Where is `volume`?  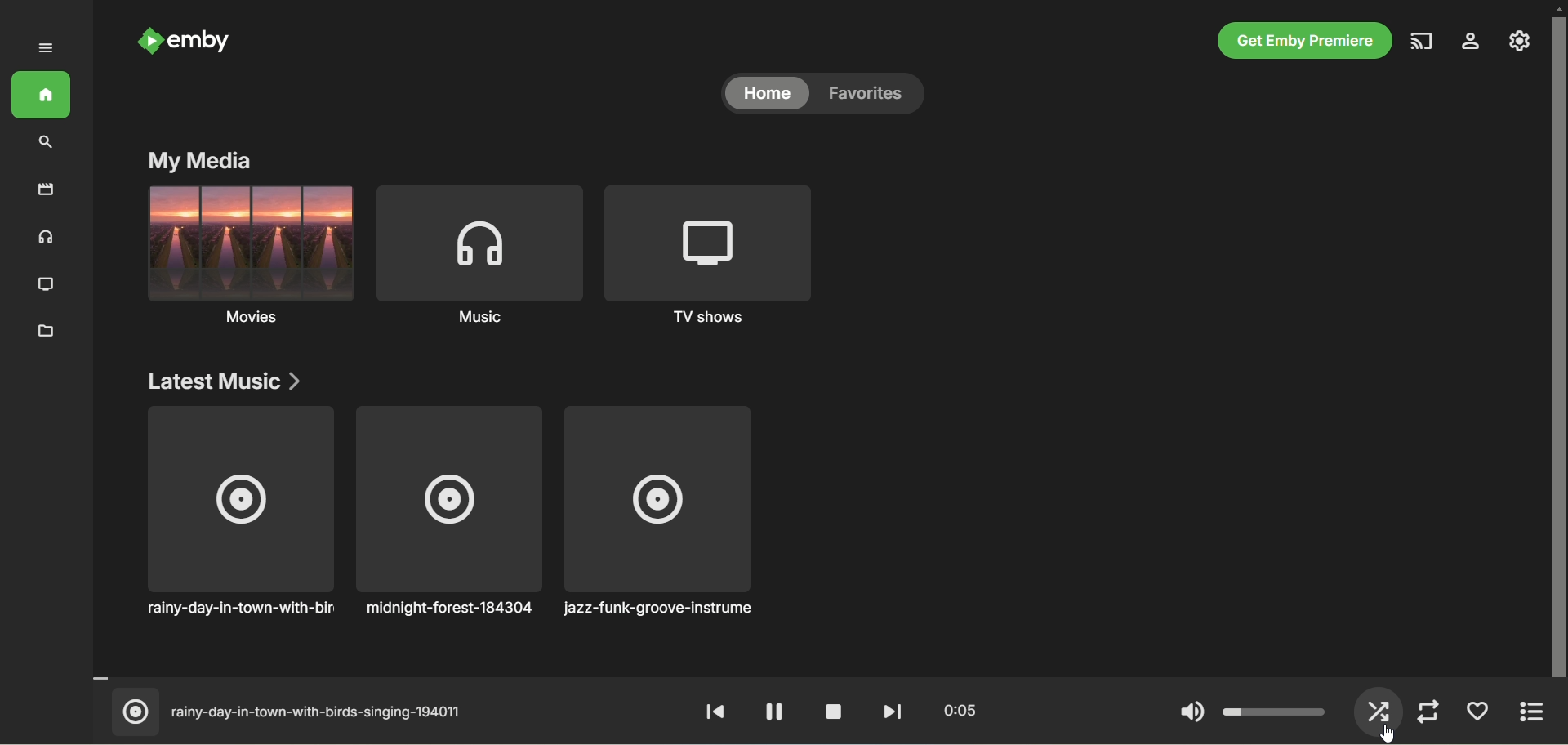 volume is located at coordinates (1248, 710).